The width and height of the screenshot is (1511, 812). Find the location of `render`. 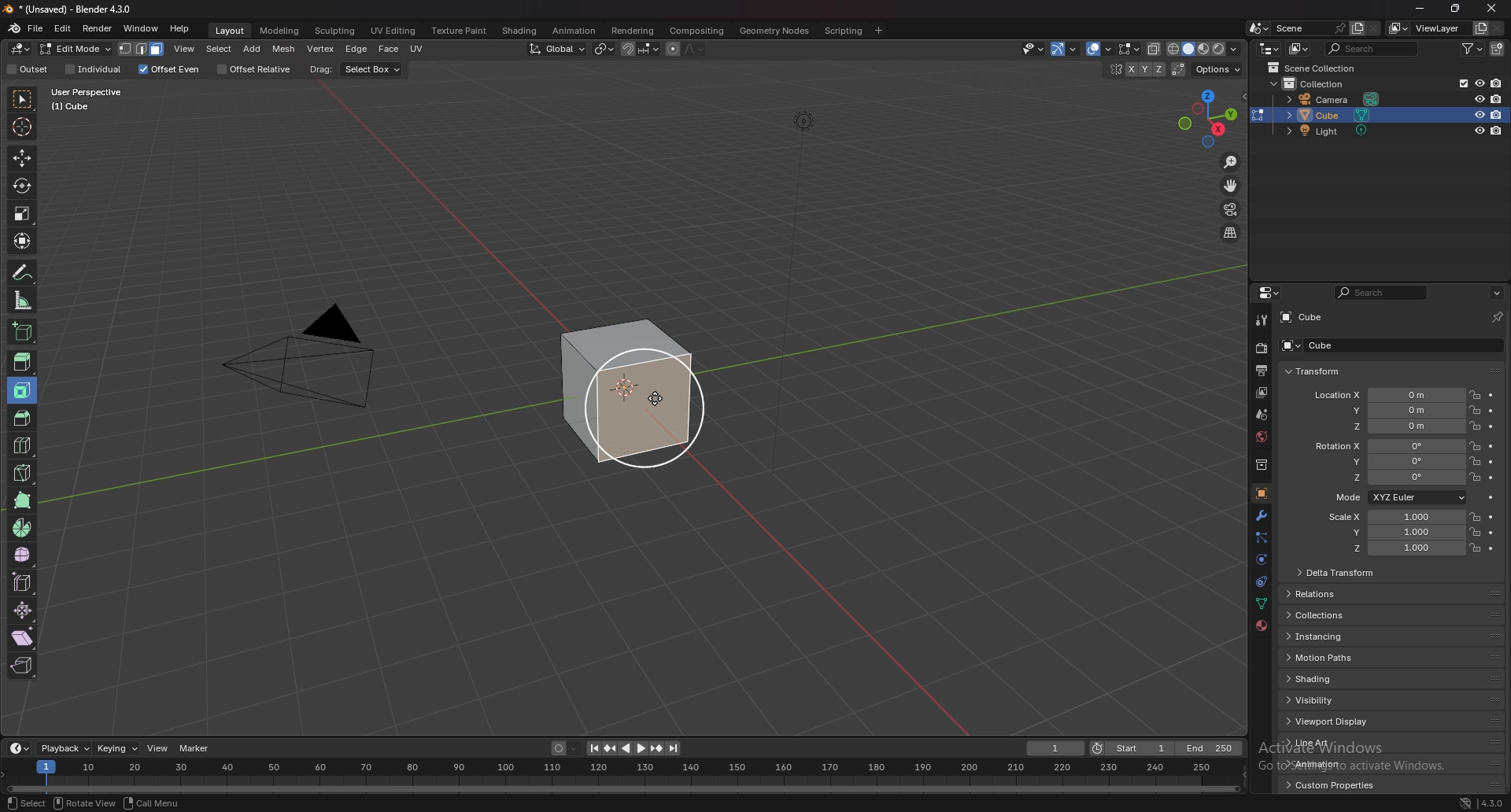

render is located at coordinates (98, 29).